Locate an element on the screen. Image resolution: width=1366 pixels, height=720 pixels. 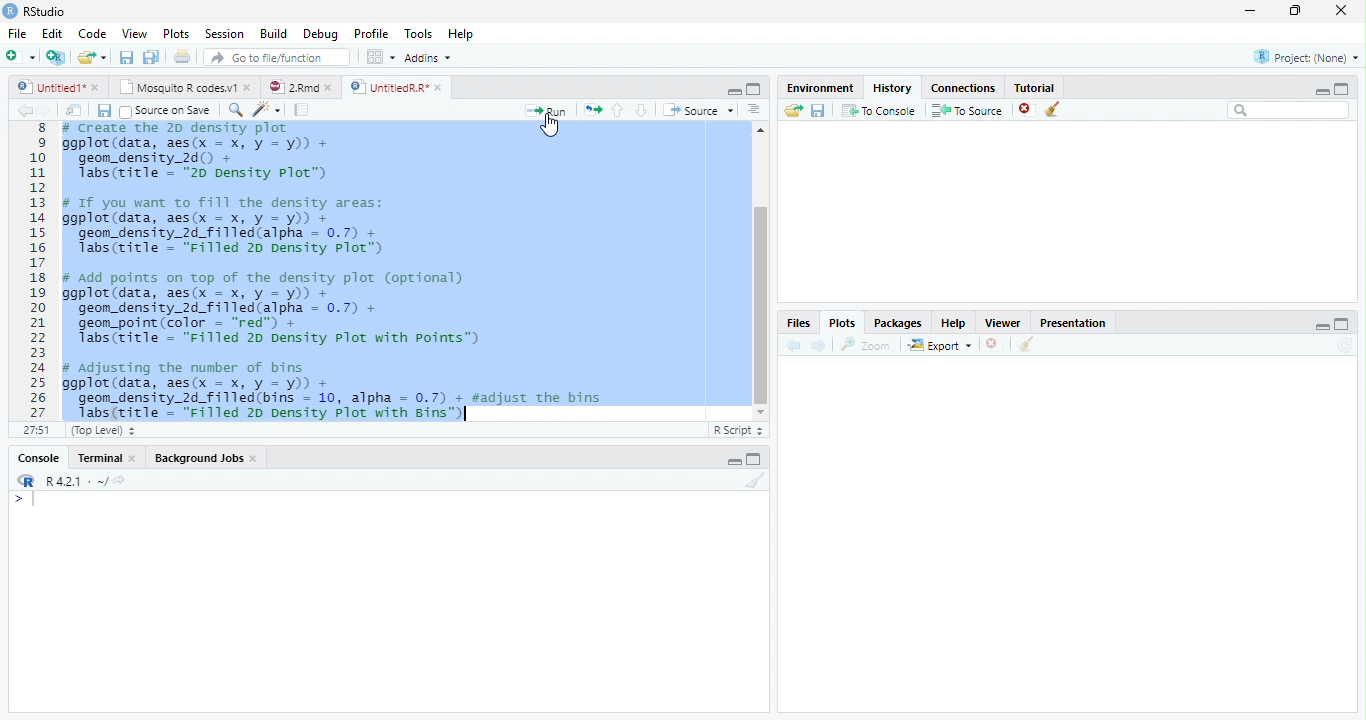
Files, is located at coordinates (795, 323).